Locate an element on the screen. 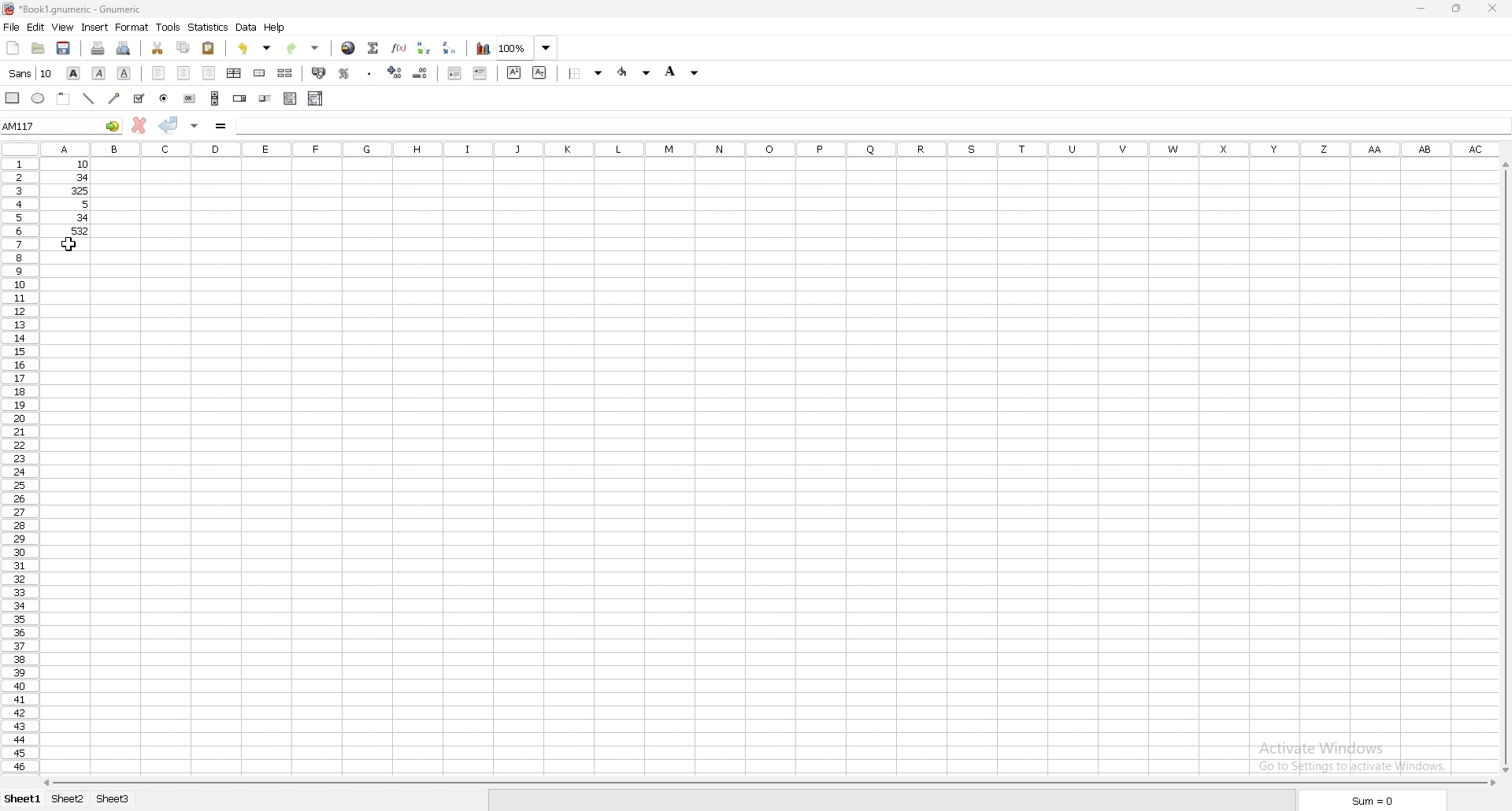 The height and width of the screenshot is (811, 1512). superscript is located at coordinates (513, 73).